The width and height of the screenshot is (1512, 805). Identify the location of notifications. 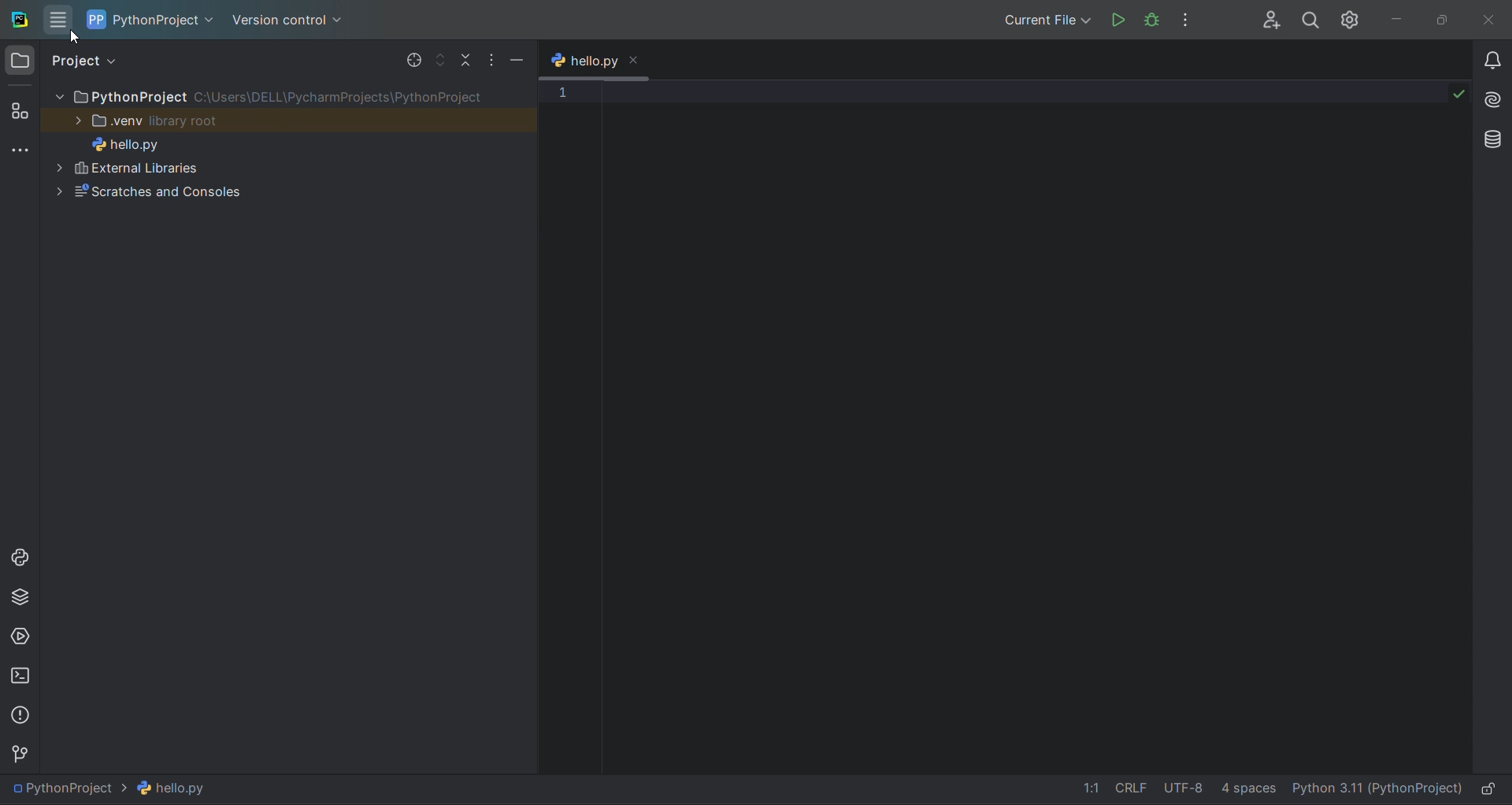
(1492, 61).